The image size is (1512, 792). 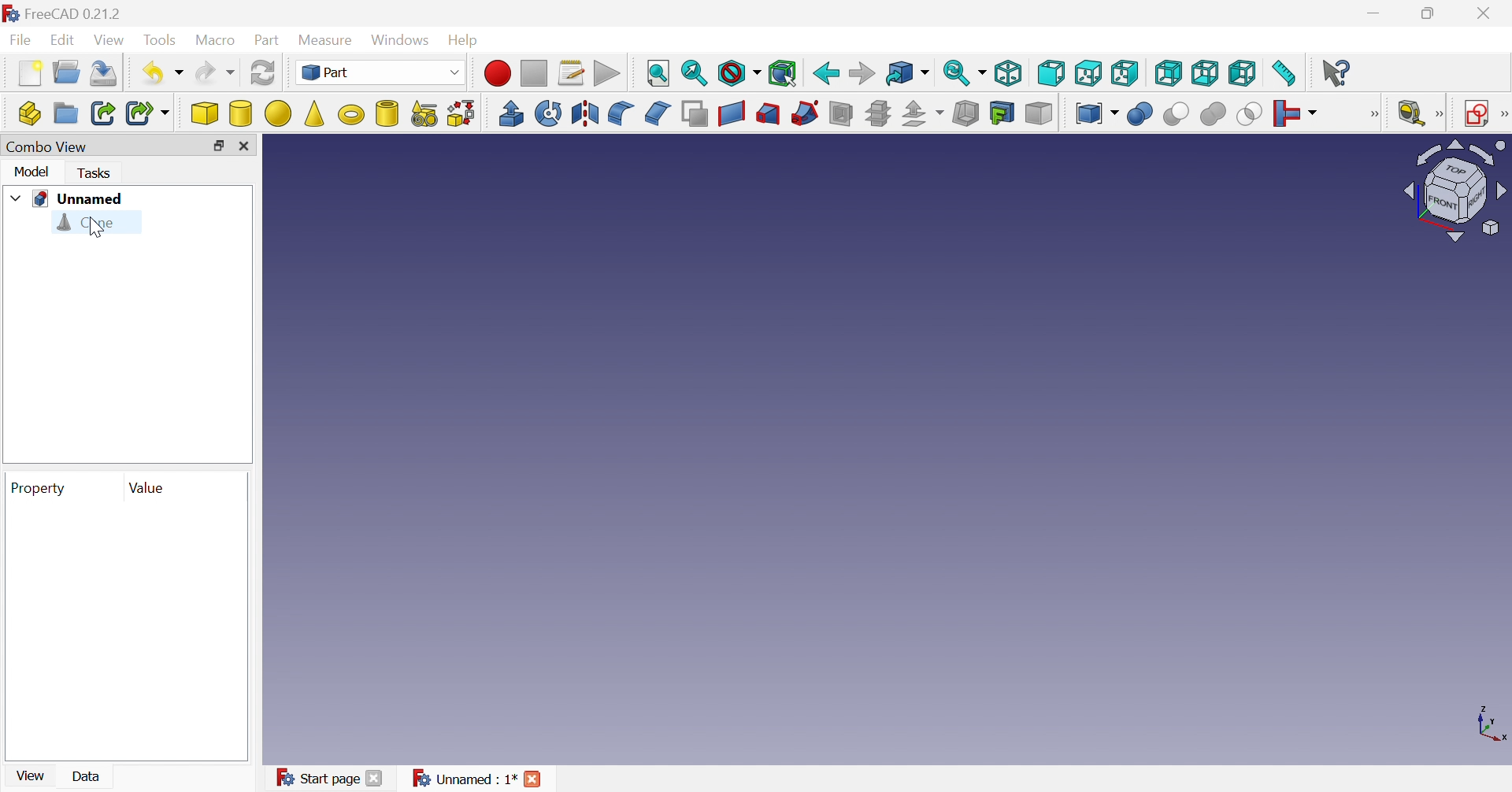 What do you see at coordinates (214, 73) in the screenshot?
I see `Redo` at bounding box center [214, 73].